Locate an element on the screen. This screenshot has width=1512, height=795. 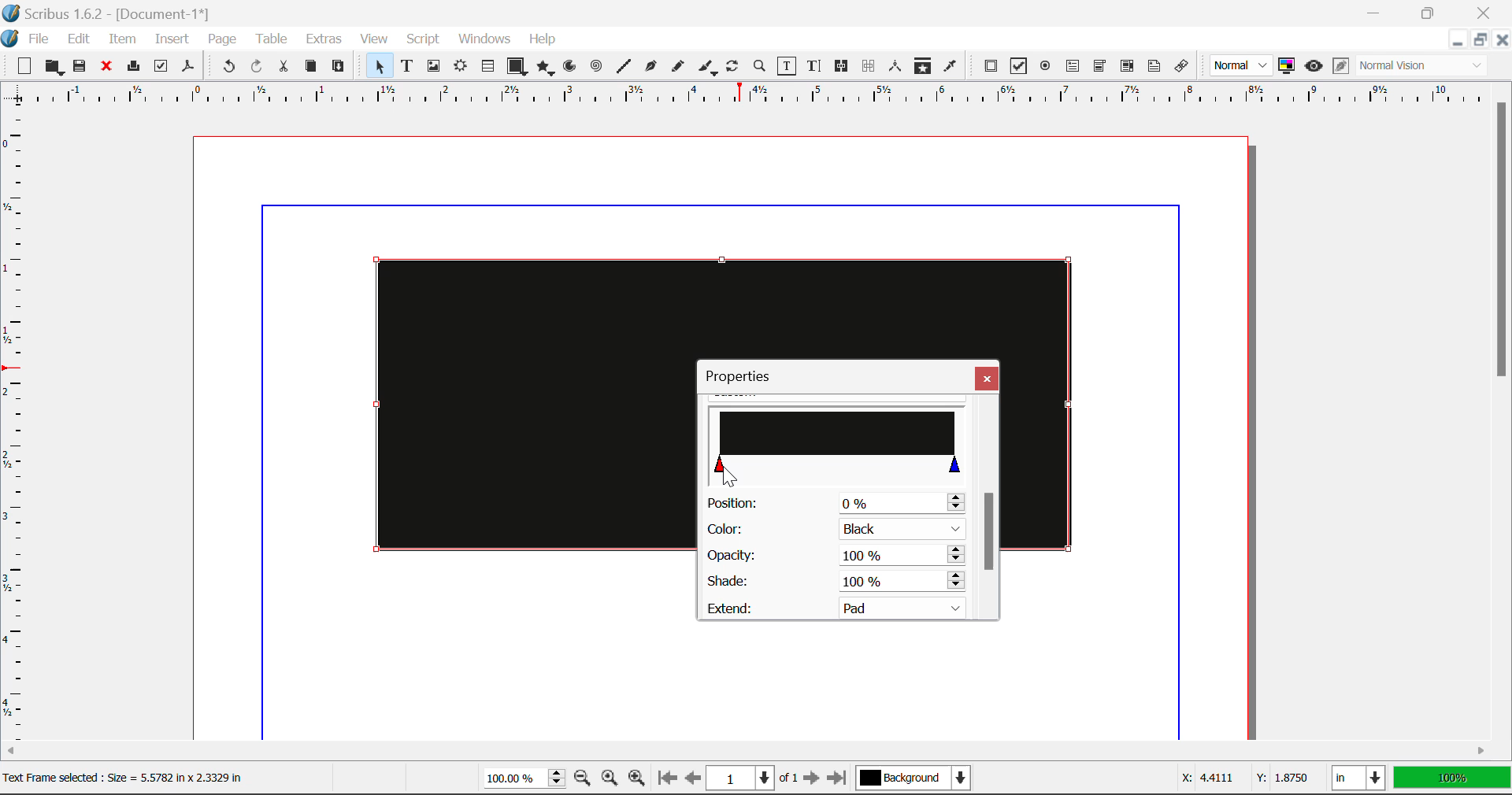
Render Frame is located at coordinates (460, 68).